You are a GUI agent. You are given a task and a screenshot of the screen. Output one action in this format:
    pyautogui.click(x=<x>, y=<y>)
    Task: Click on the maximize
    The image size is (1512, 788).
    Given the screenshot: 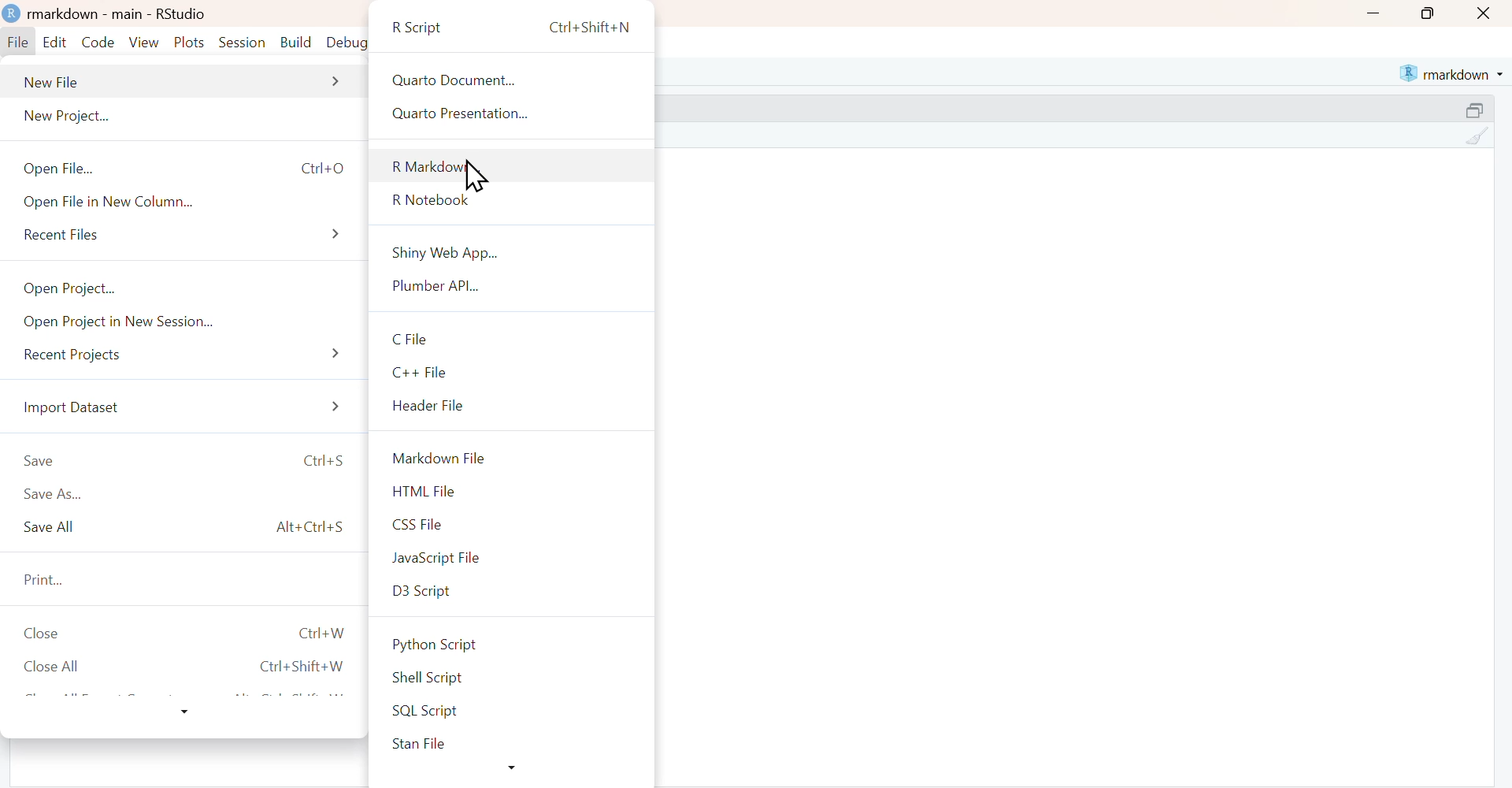 What is the action you would take?
    pyautogui.click(x=1476, y=109)
    